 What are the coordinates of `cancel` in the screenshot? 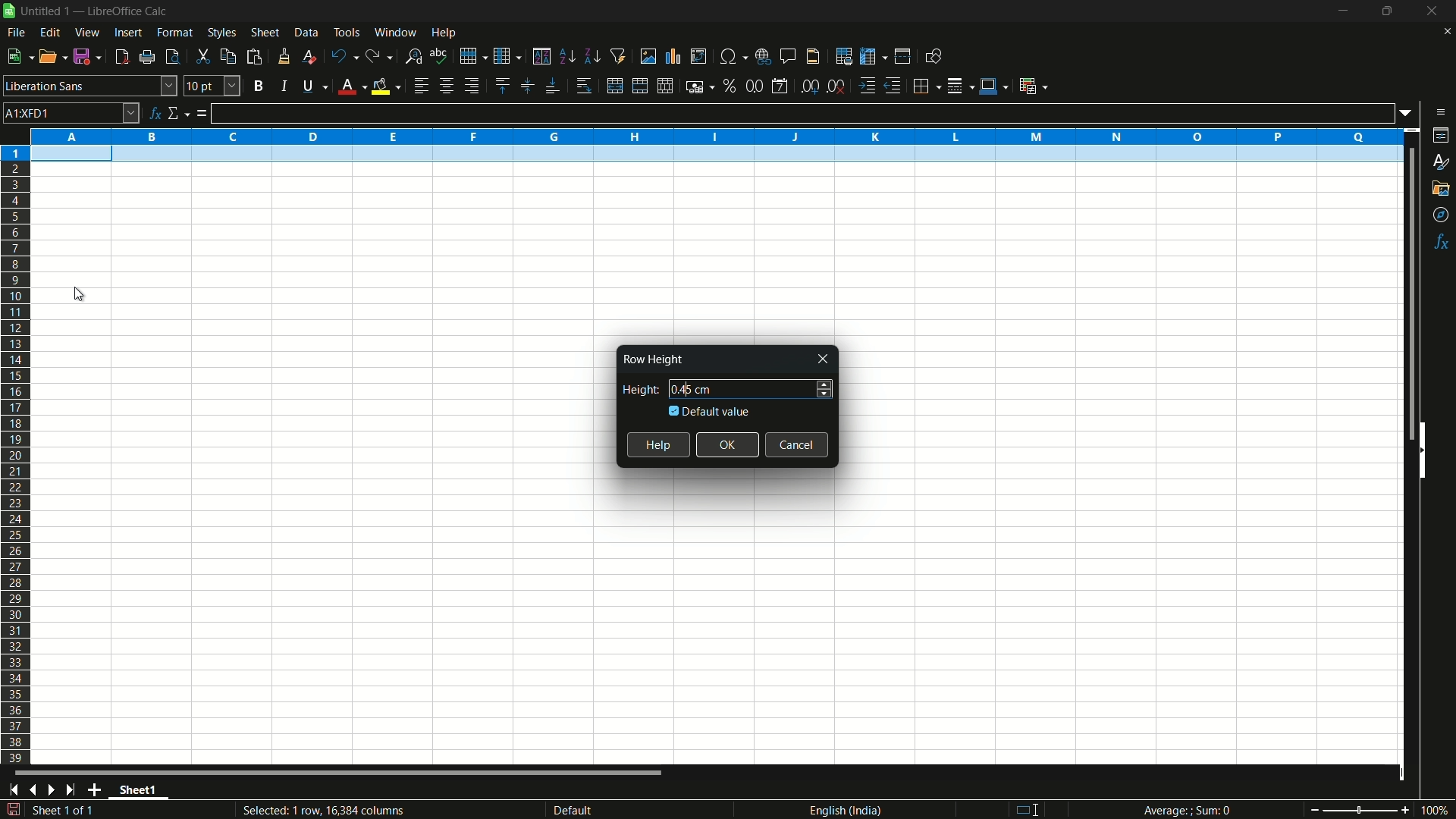 It's located at (798, 444).